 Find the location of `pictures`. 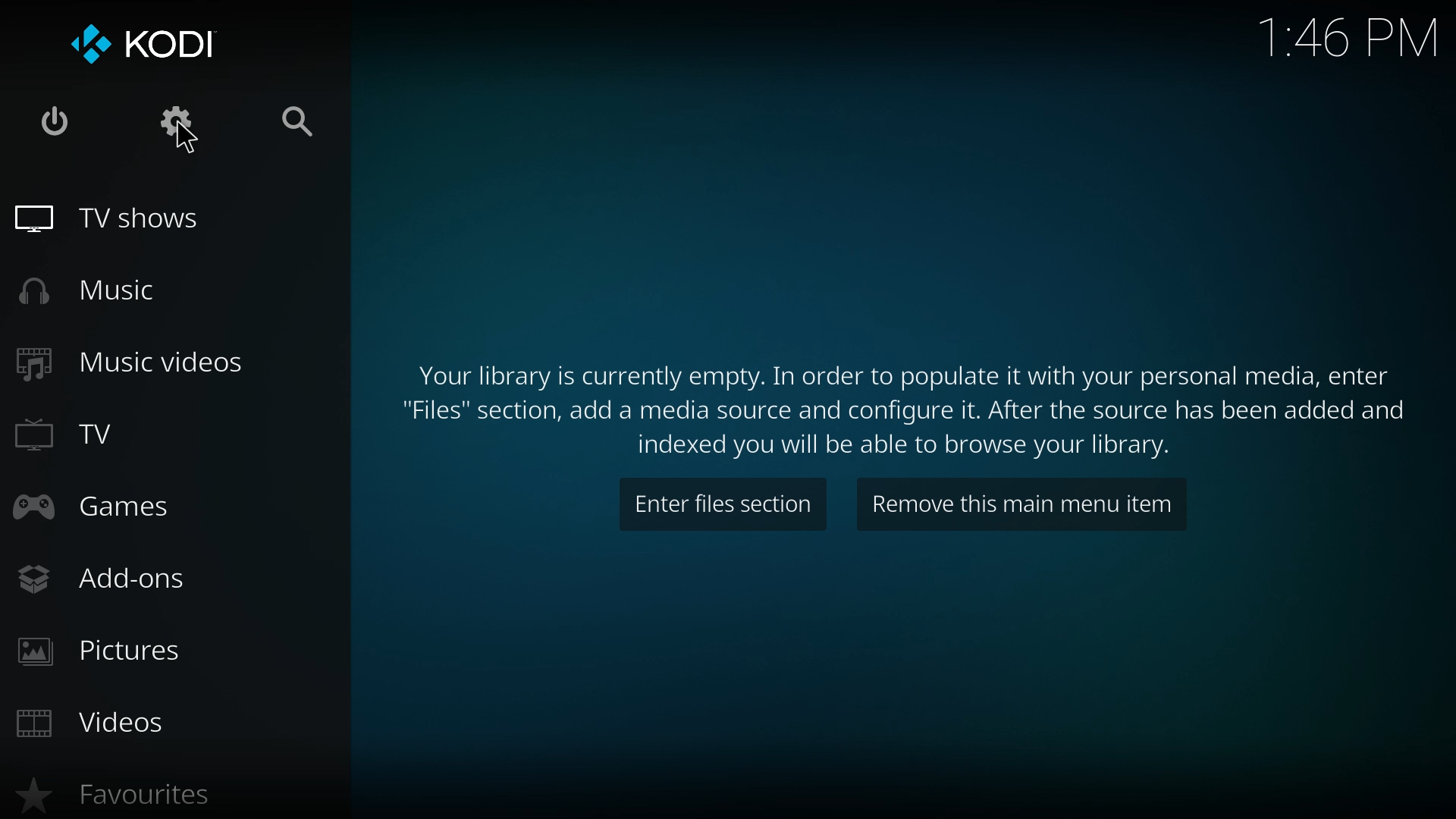

pictures is located at coordinates (146, 655).